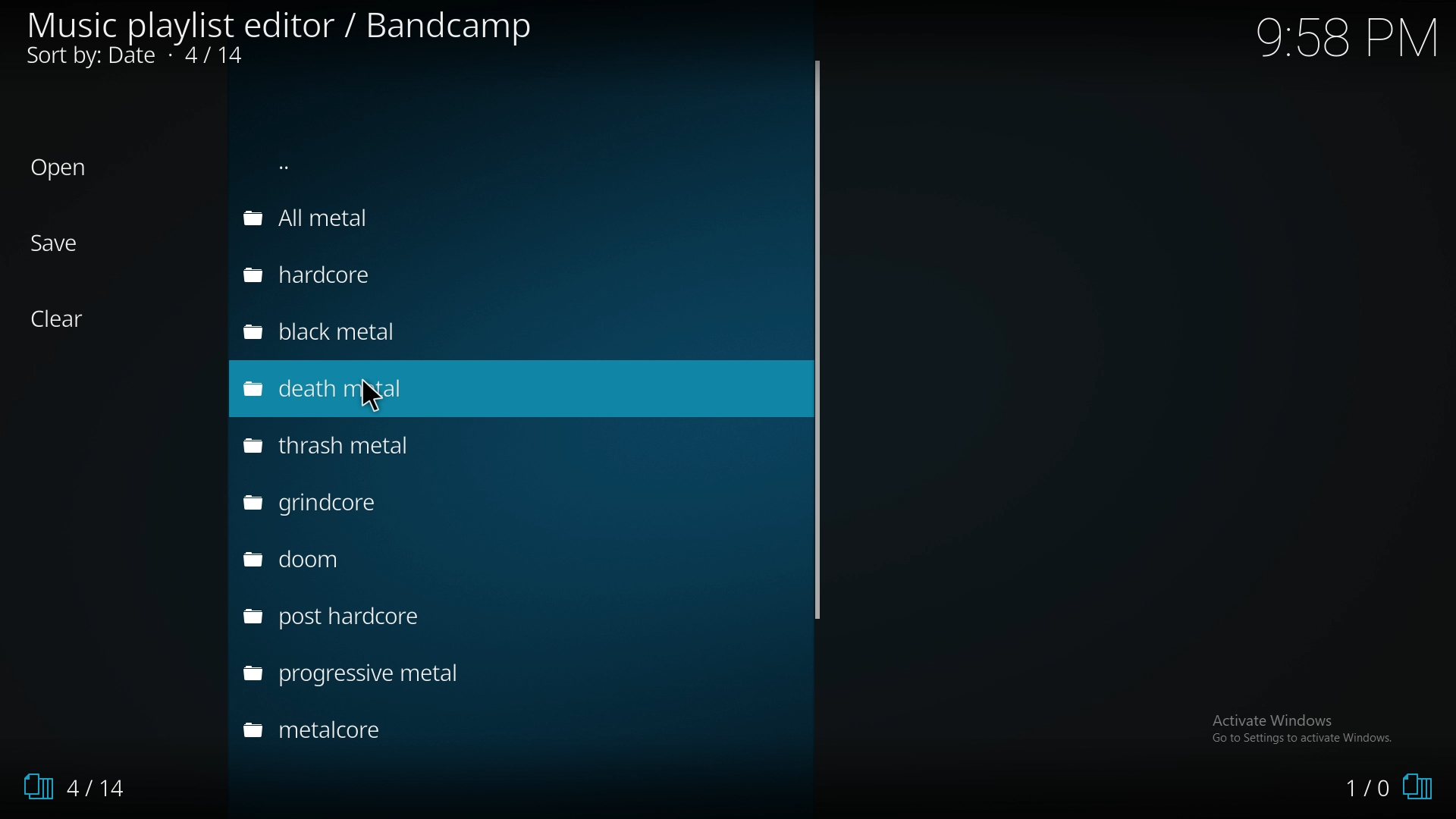  What do you see at coordinates (407, 278) in the screenshot?
I see `music genre` at bounding box center [407, 278].